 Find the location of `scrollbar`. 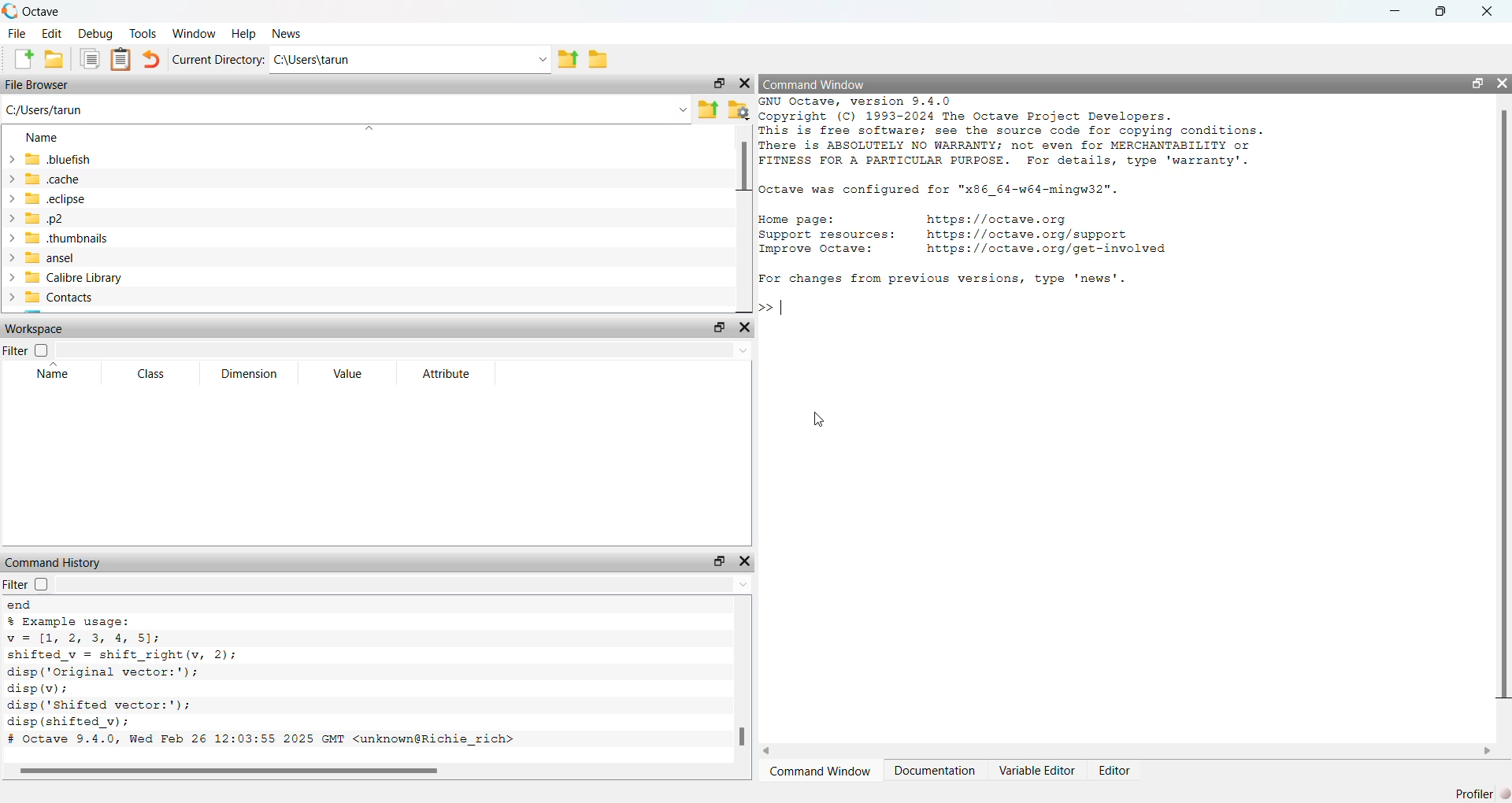

scrollbar is located at coordinates (741, 714).